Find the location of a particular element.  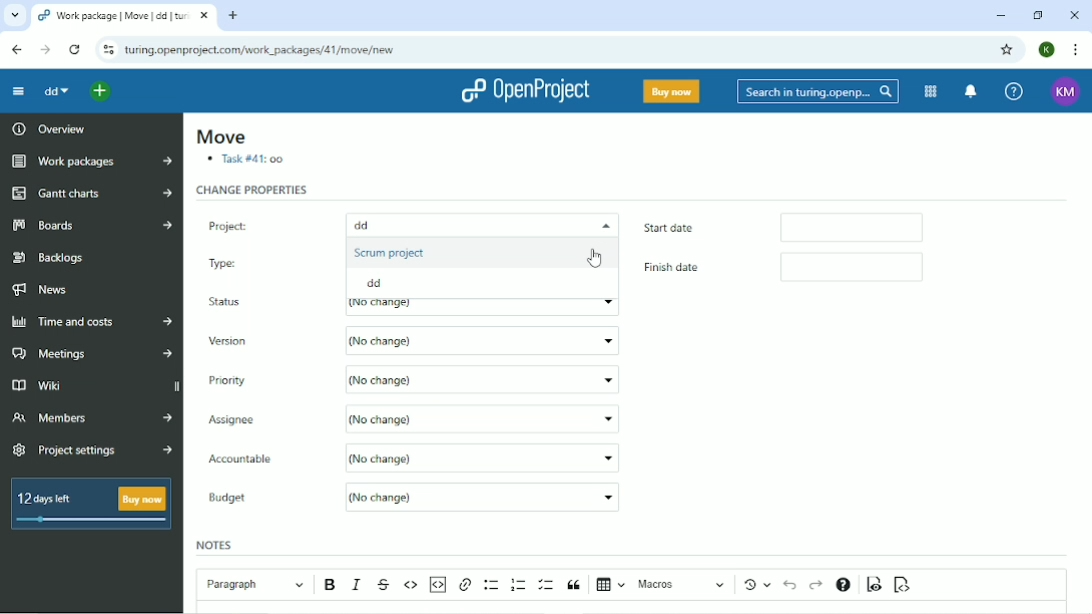

Modules is located at coordinates (928, 92).